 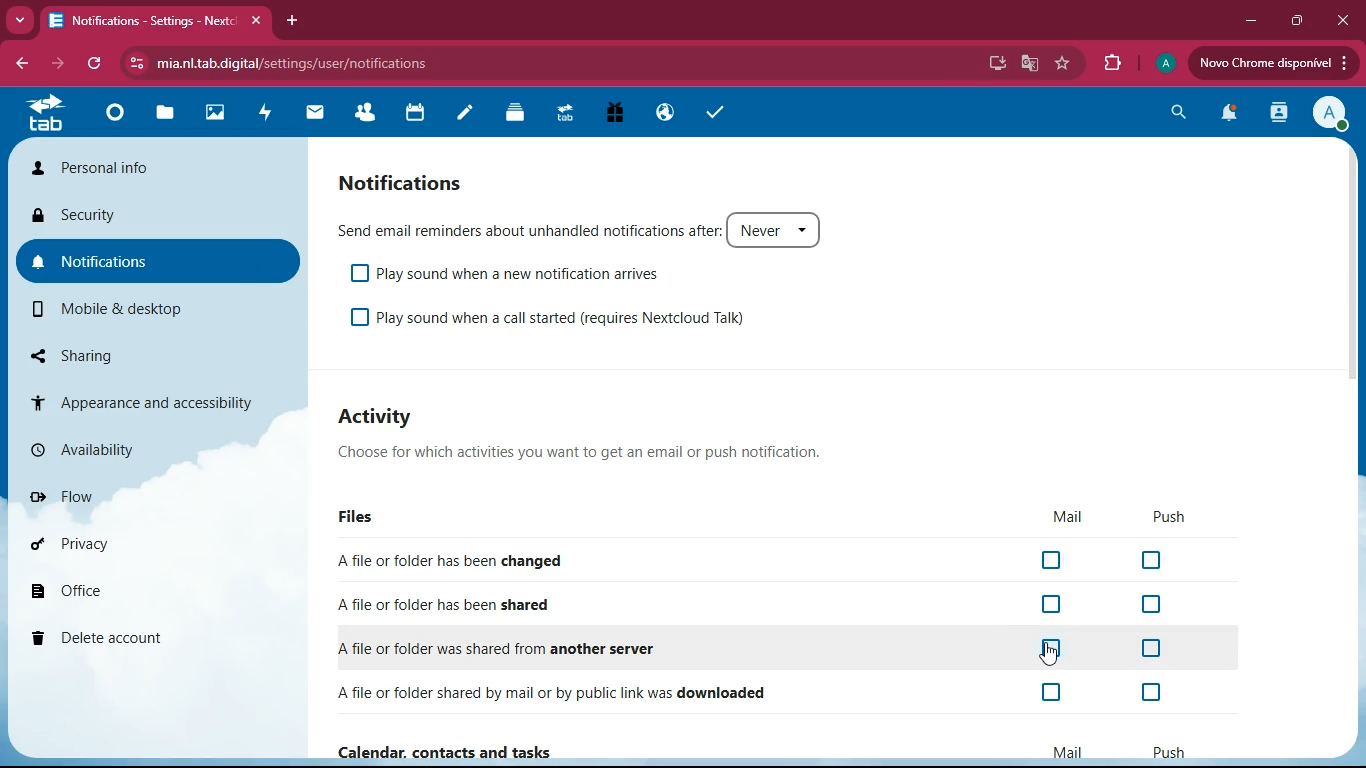 What do you see at coordinates (1150, 693) in the screenshot?
I see `off` at bounding box center [1150, 693].